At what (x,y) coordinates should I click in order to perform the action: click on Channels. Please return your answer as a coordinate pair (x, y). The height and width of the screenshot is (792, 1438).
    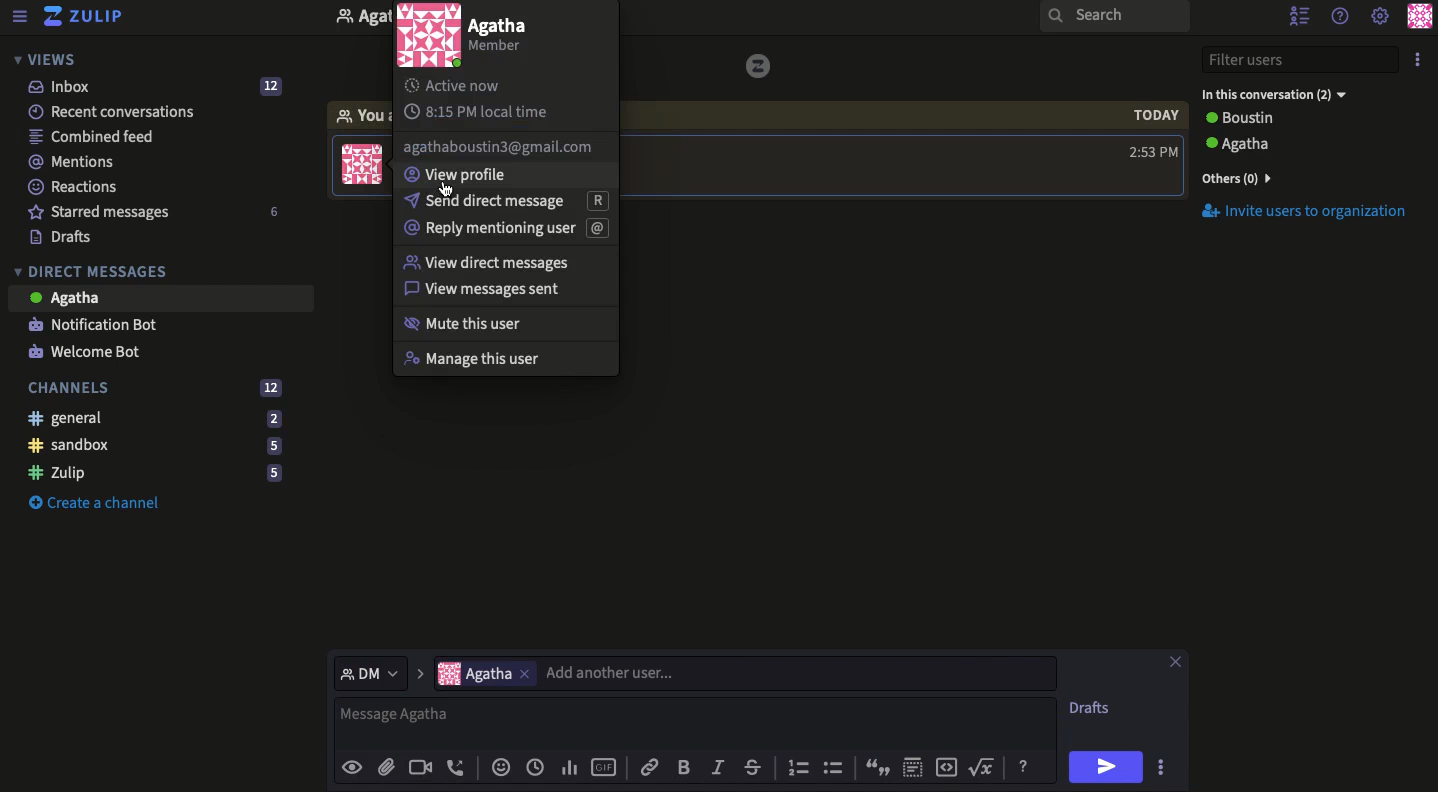
    Looking at the image, I should click on (158, 389).